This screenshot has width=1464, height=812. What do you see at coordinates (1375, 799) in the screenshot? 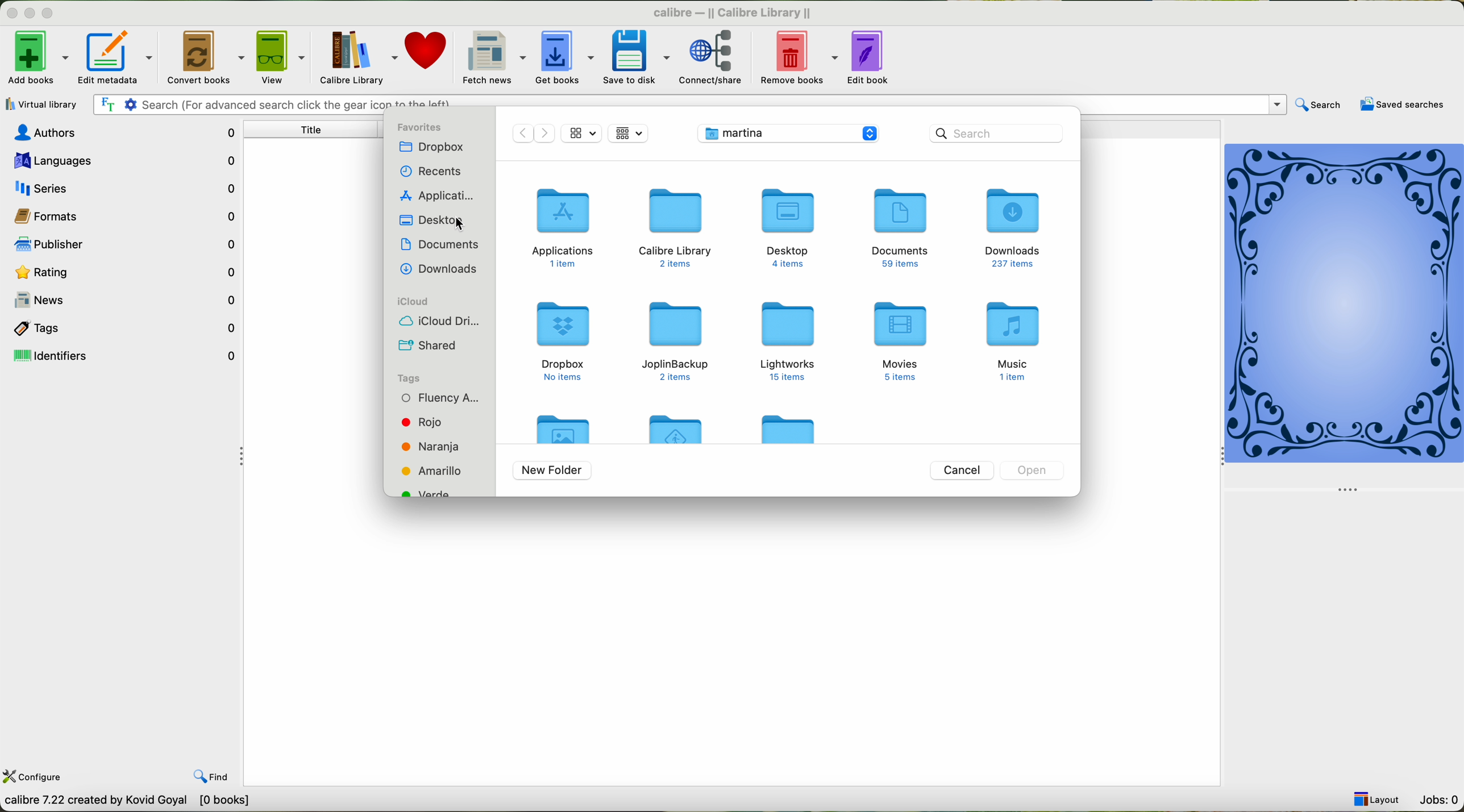
I see `layout` at bounding box center [1375, 799].